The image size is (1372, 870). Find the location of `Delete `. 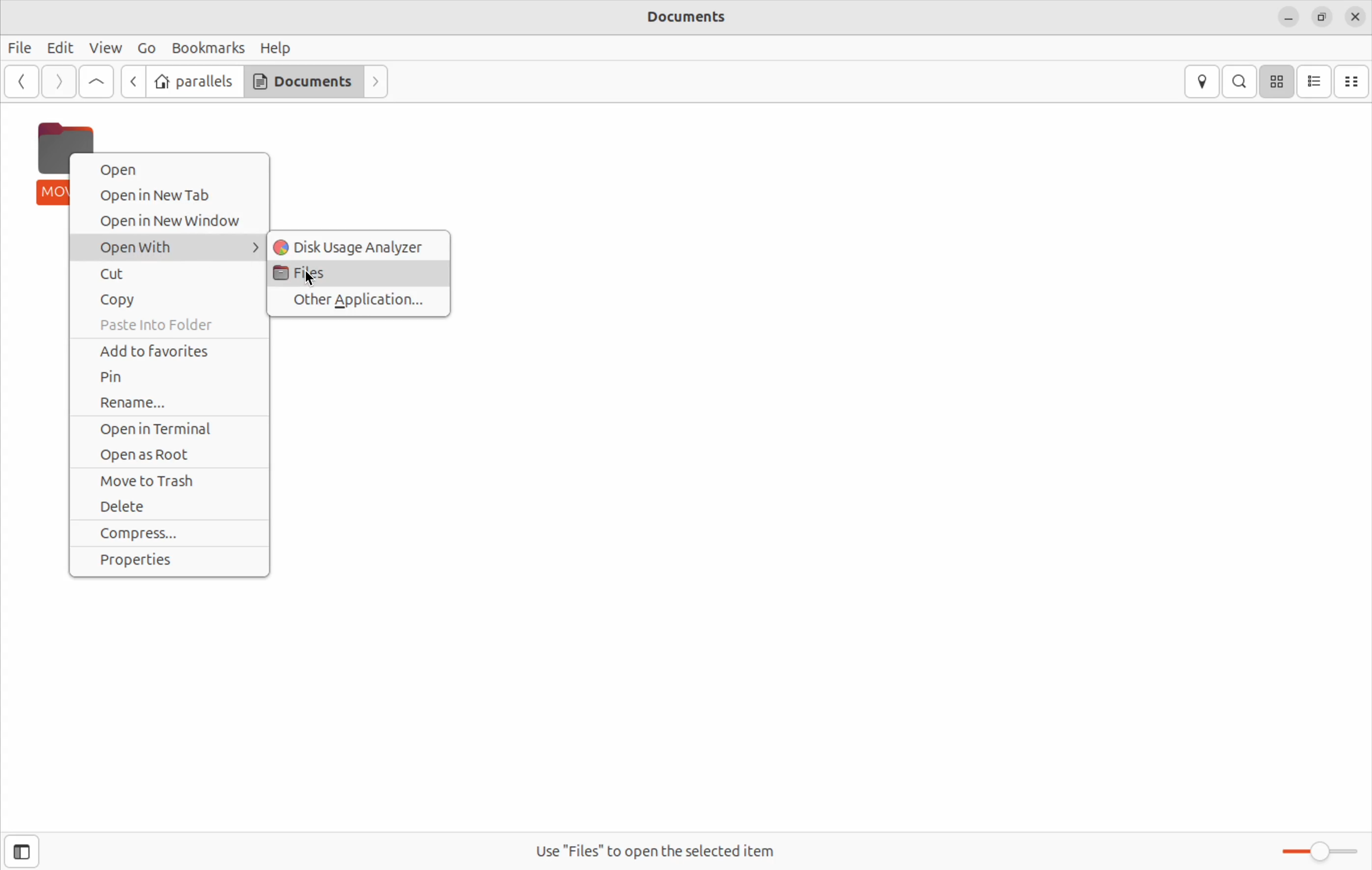

Delete  is located at coordinates (166, 509).